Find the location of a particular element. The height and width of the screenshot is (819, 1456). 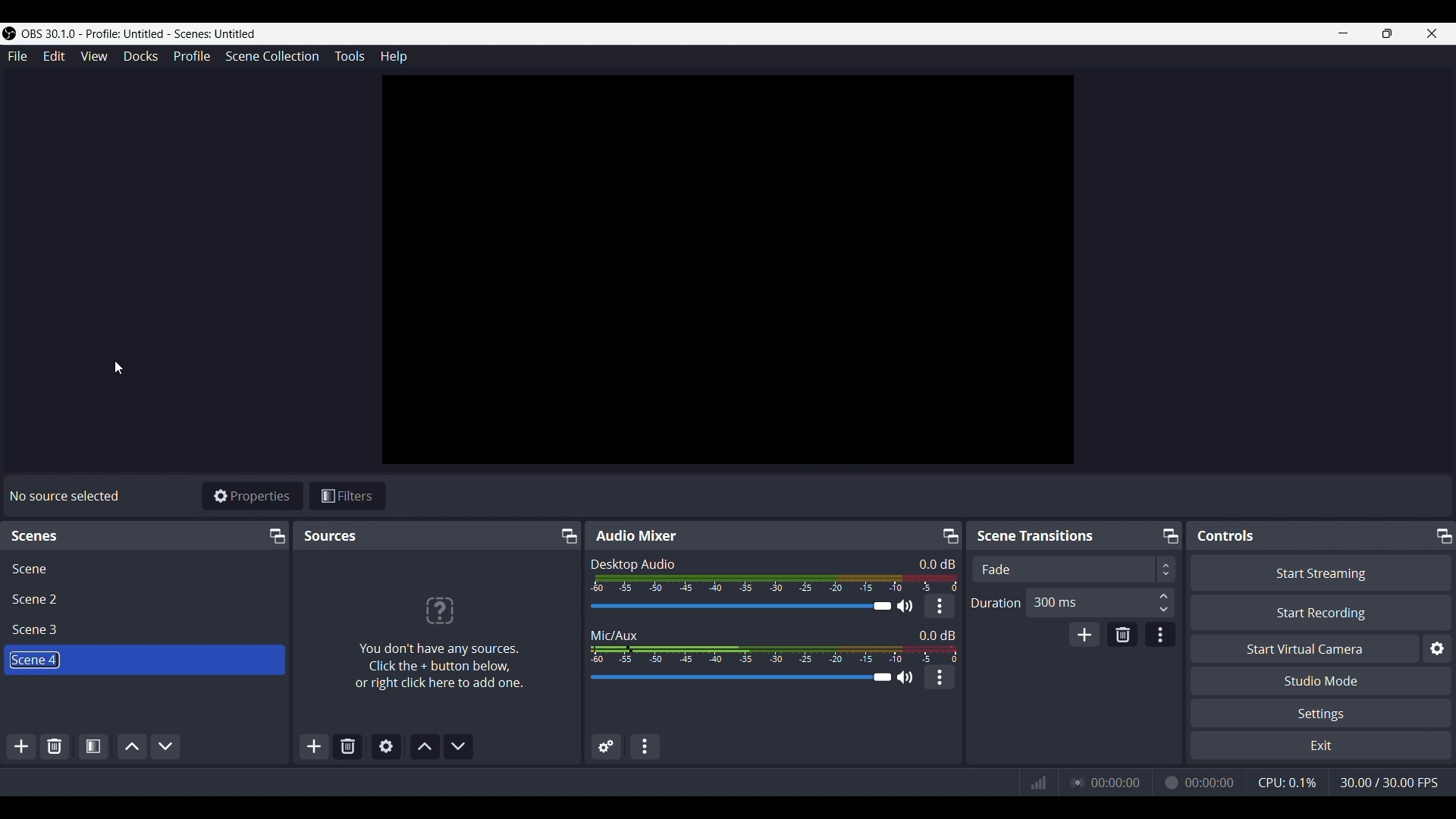

Connection Status Indicator is located at coordinates (1038, 783).